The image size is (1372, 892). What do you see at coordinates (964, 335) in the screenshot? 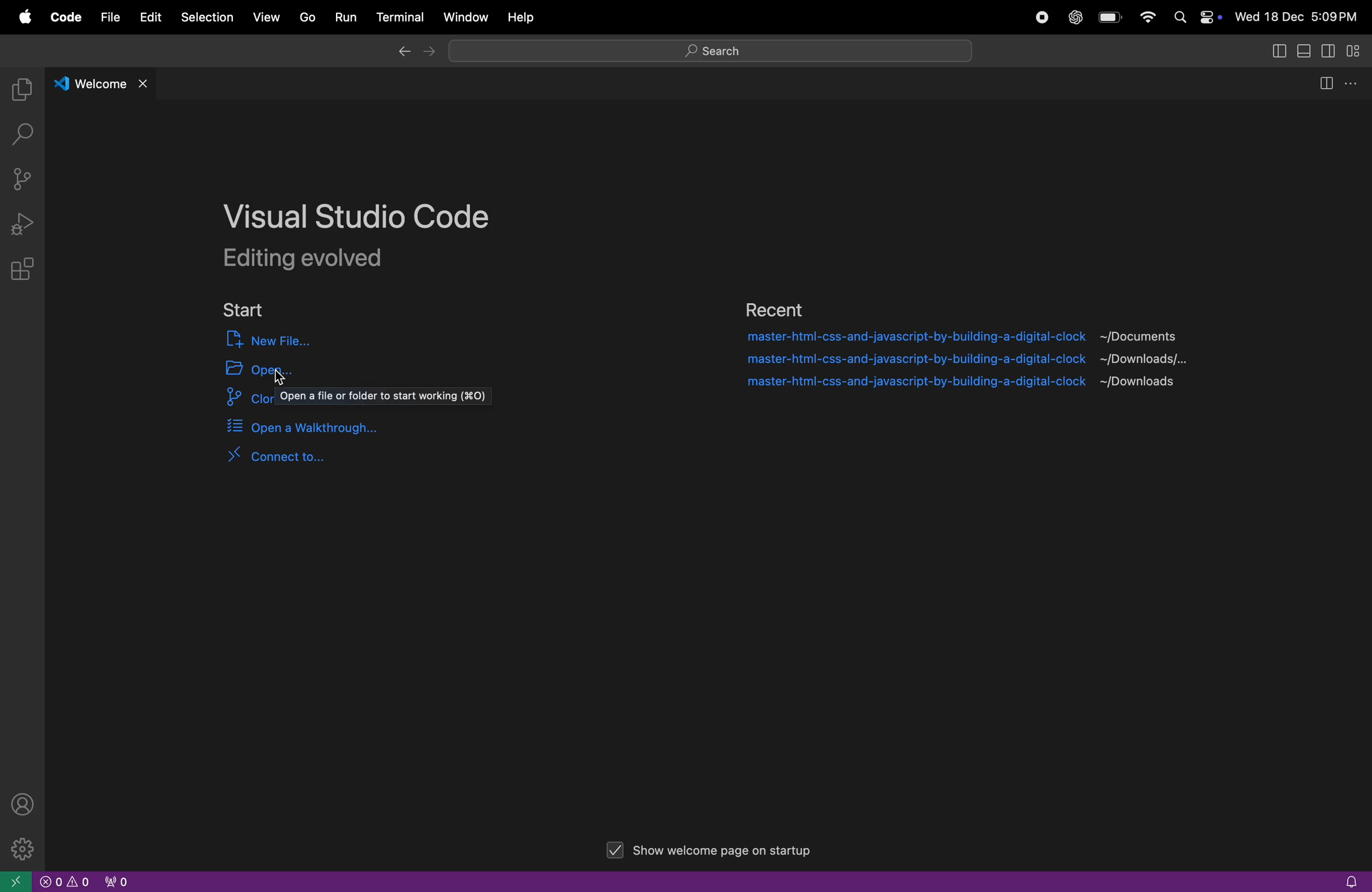
I see `file 1` at bounding box center [964, 335].